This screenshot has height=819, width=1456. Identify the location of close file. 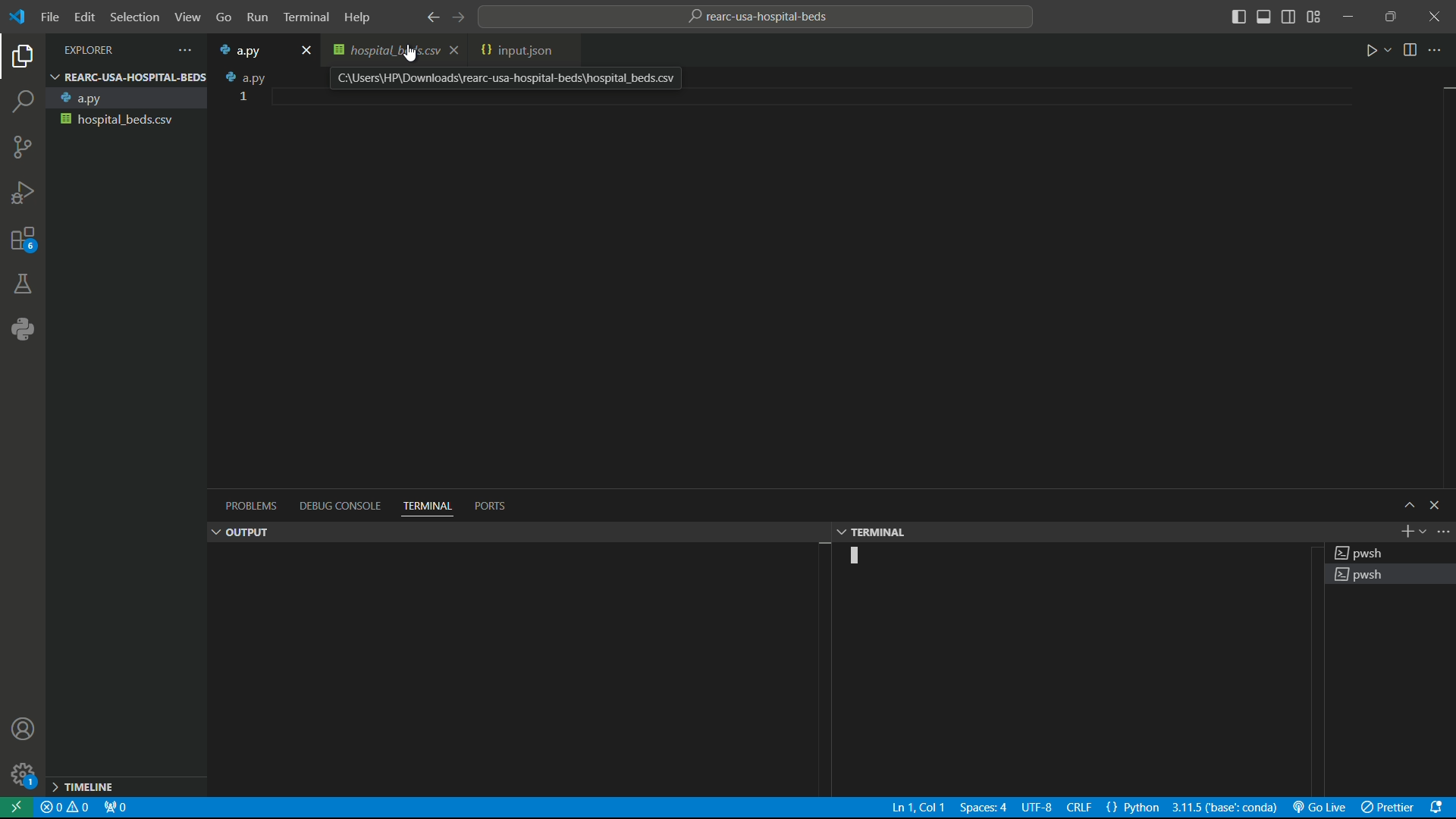
(303, 50).